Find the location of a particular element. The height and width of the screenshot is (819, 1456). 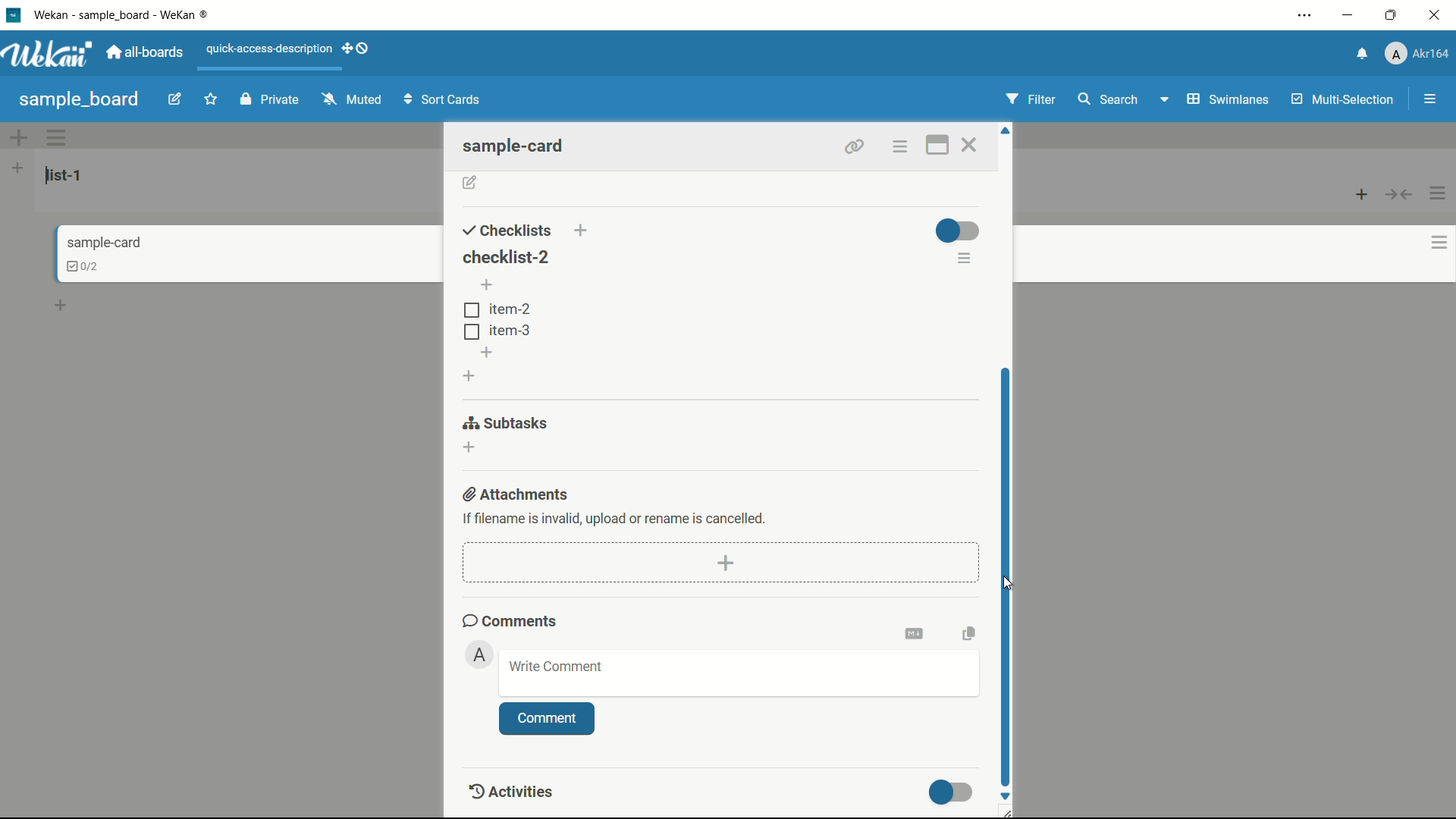

add attachment is located at coordinates (727, 563).